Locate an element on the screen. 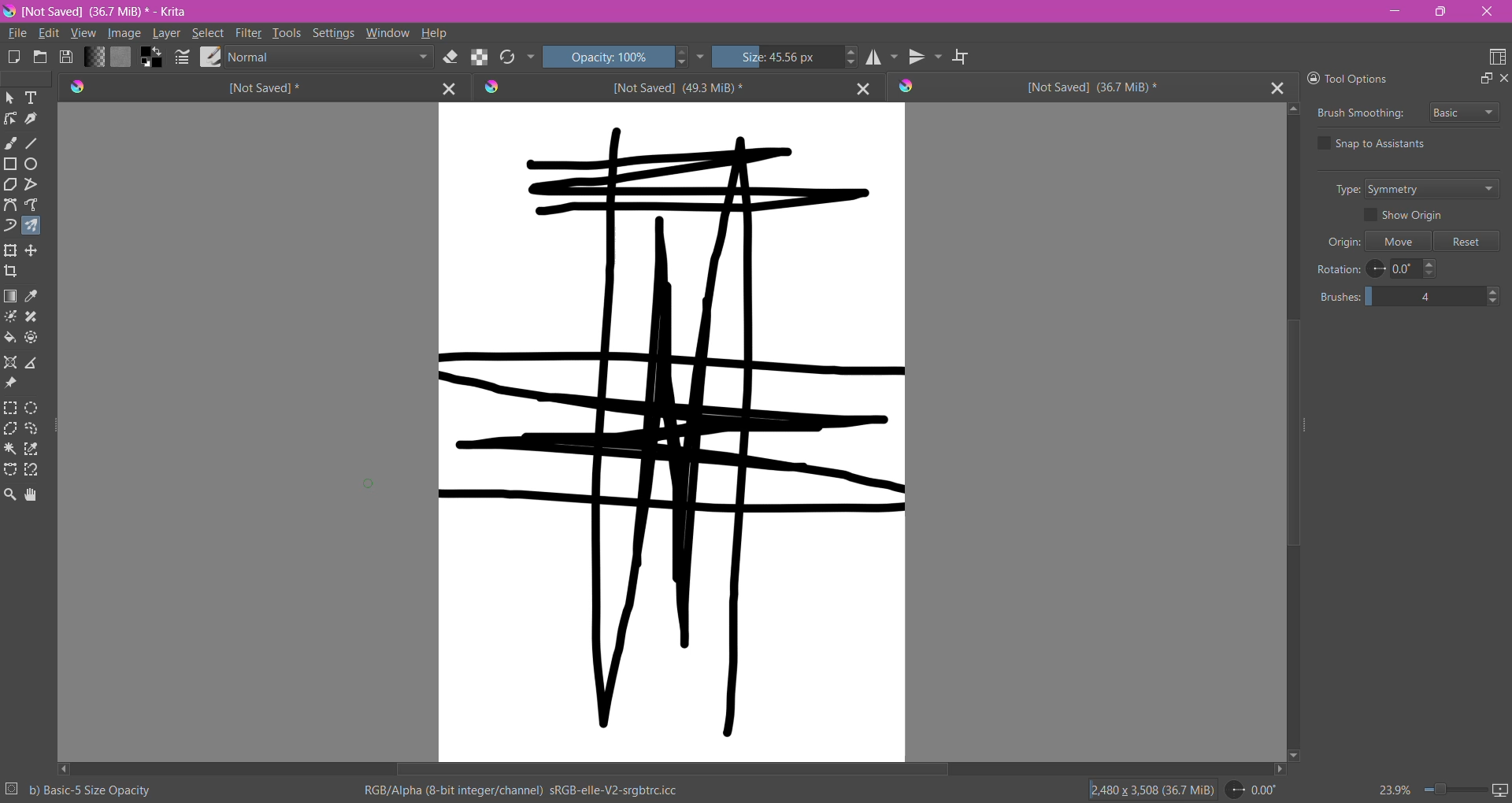  Close Tab is located at coordinates (446, 87).